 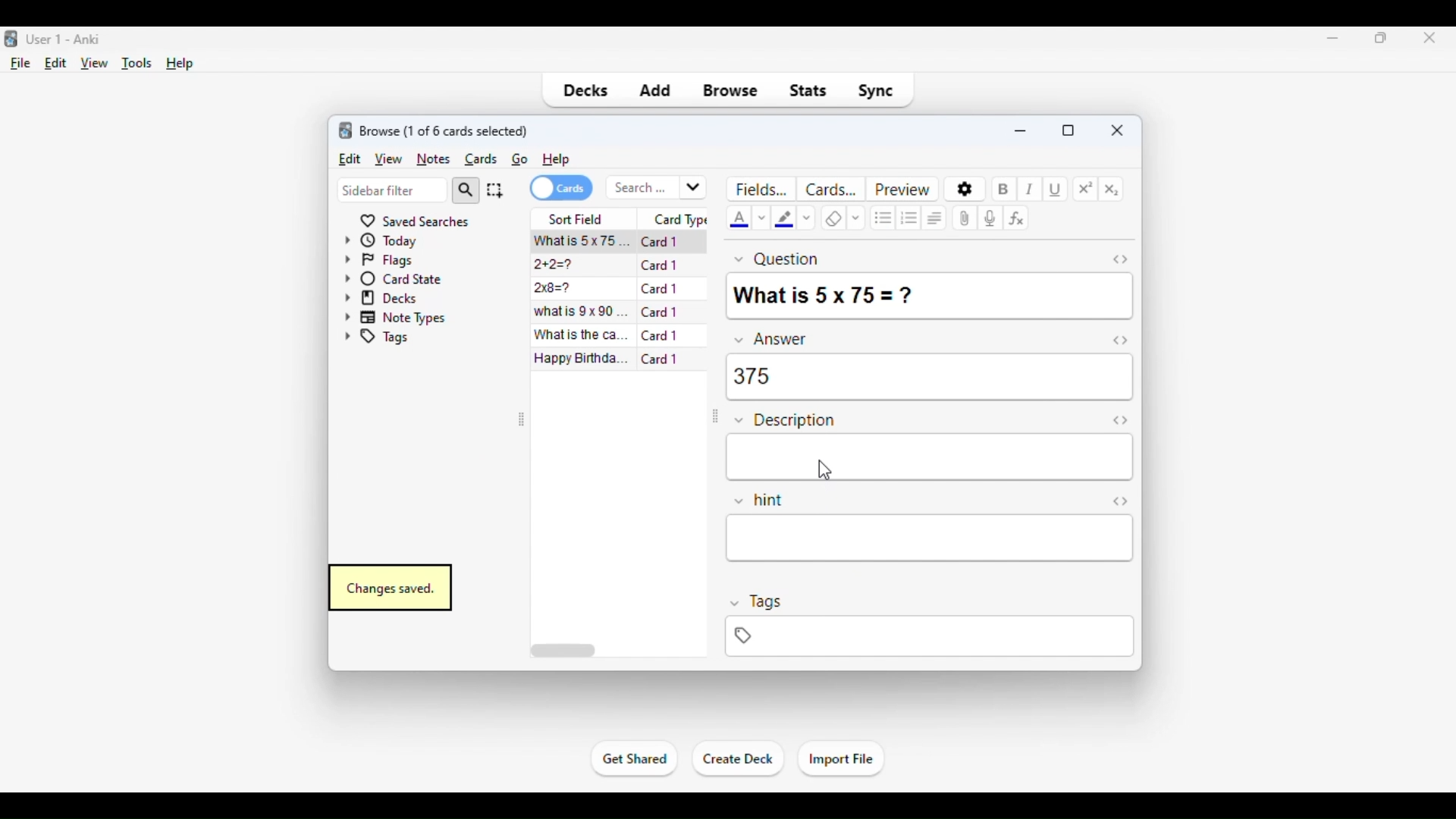 What do you see at coordinates (756, 602) in the screenshot?
I see `tags` at bounding box center [756, 602].